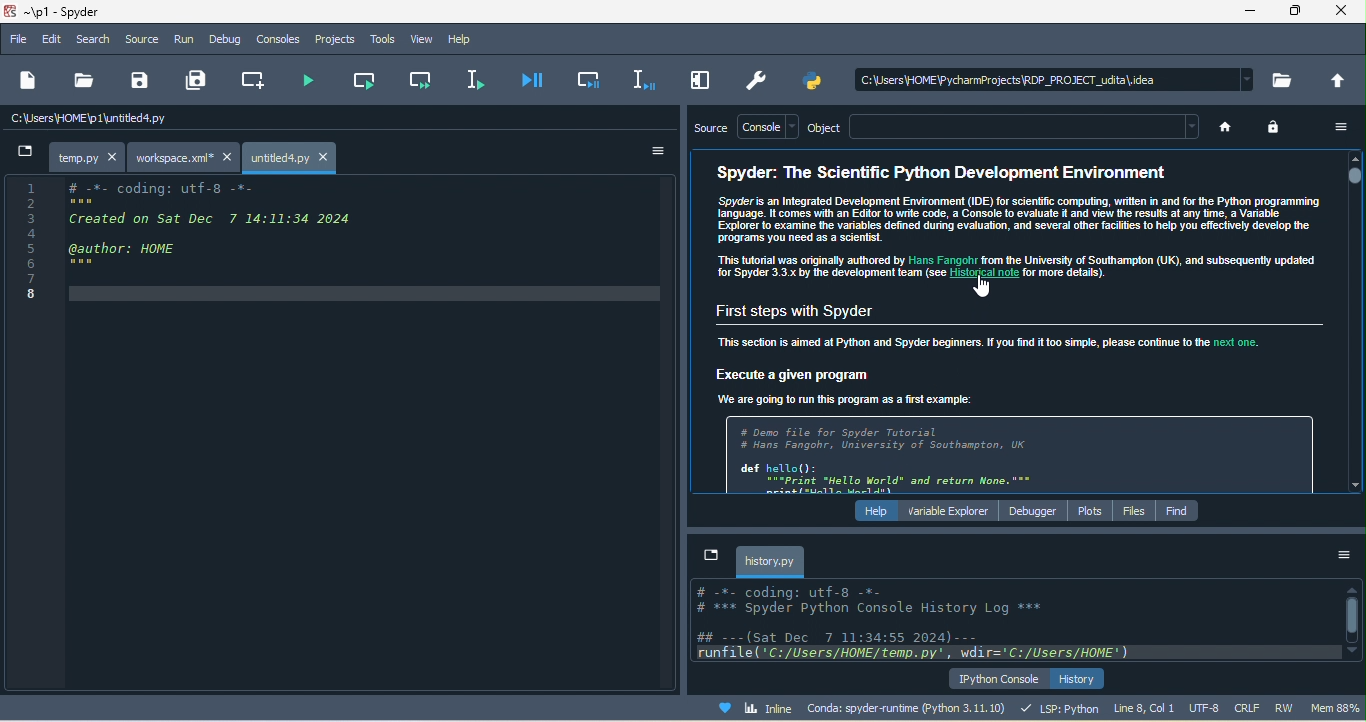 The image size is (1366, 722). Describe the element at coordinates (702, 79) in the screenshot. I see `maximize current pane` at that location.